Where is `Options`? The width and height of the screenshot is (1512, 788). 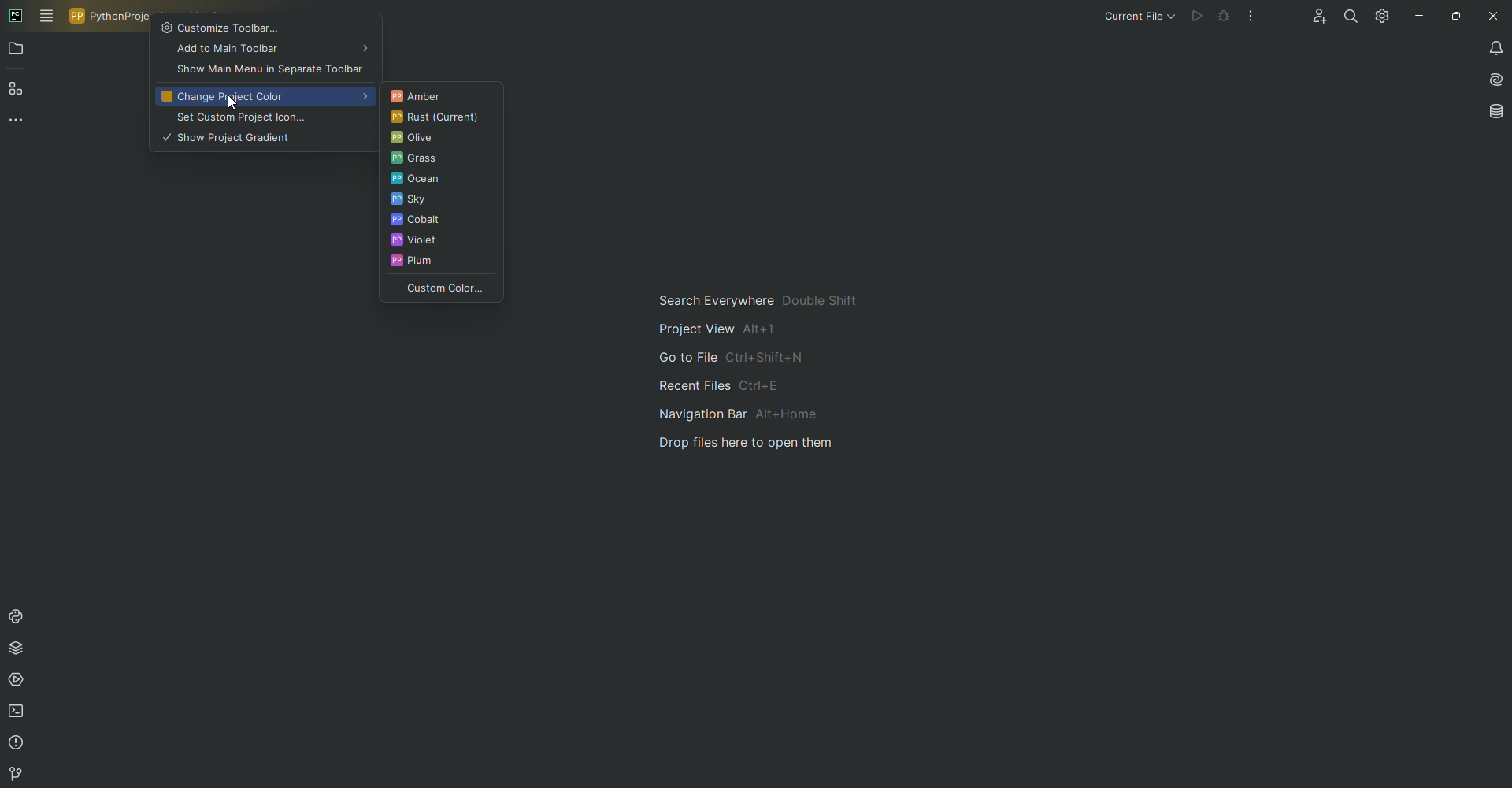 Options is located at coordinates (1251, 16).